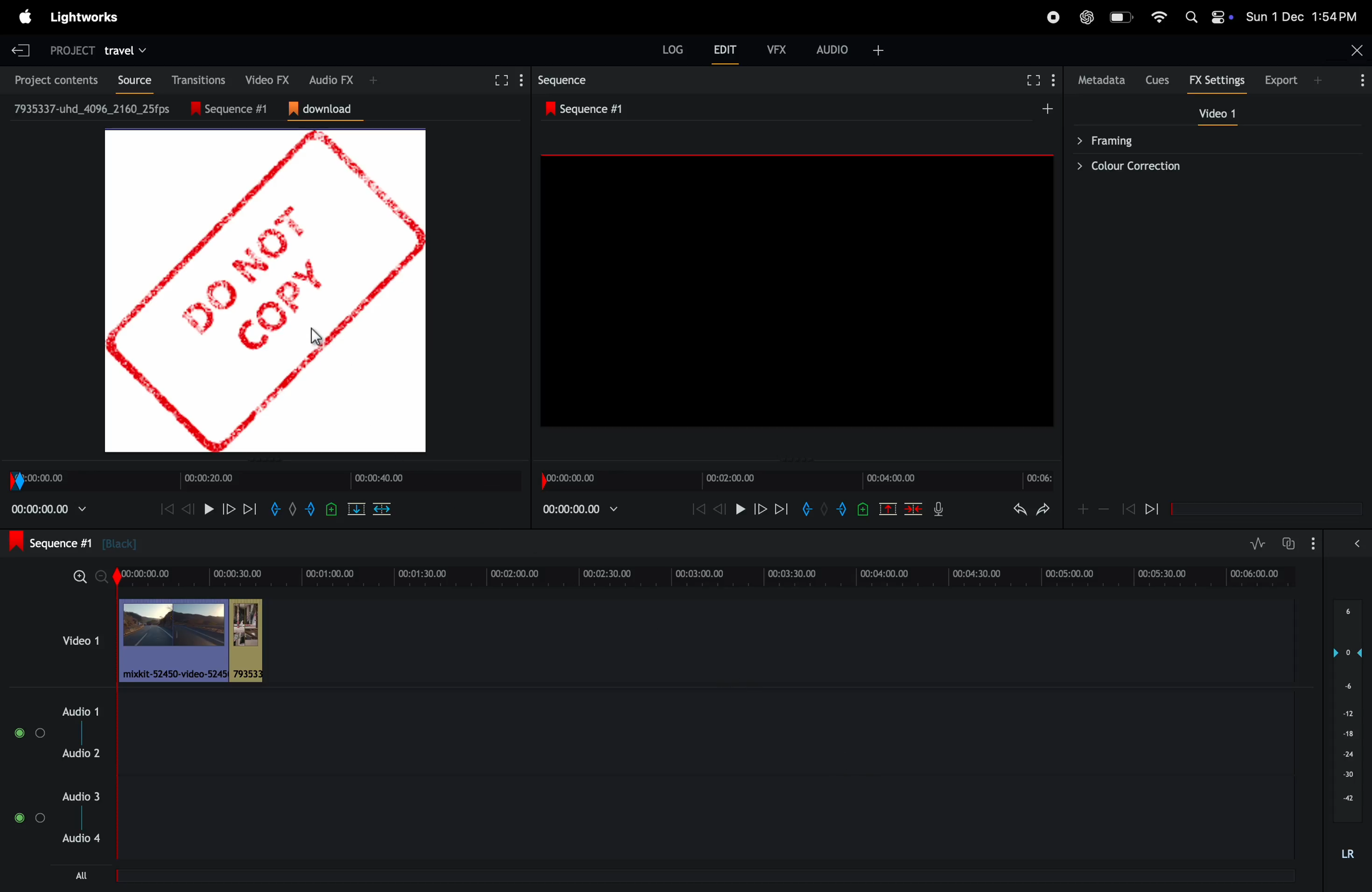 Image resolution: width=1372 pixels, height=892 pixels. Describe the element at coordinates (1222, 17) in the screenshot. I see `Dark mode/Light mode` at that location.